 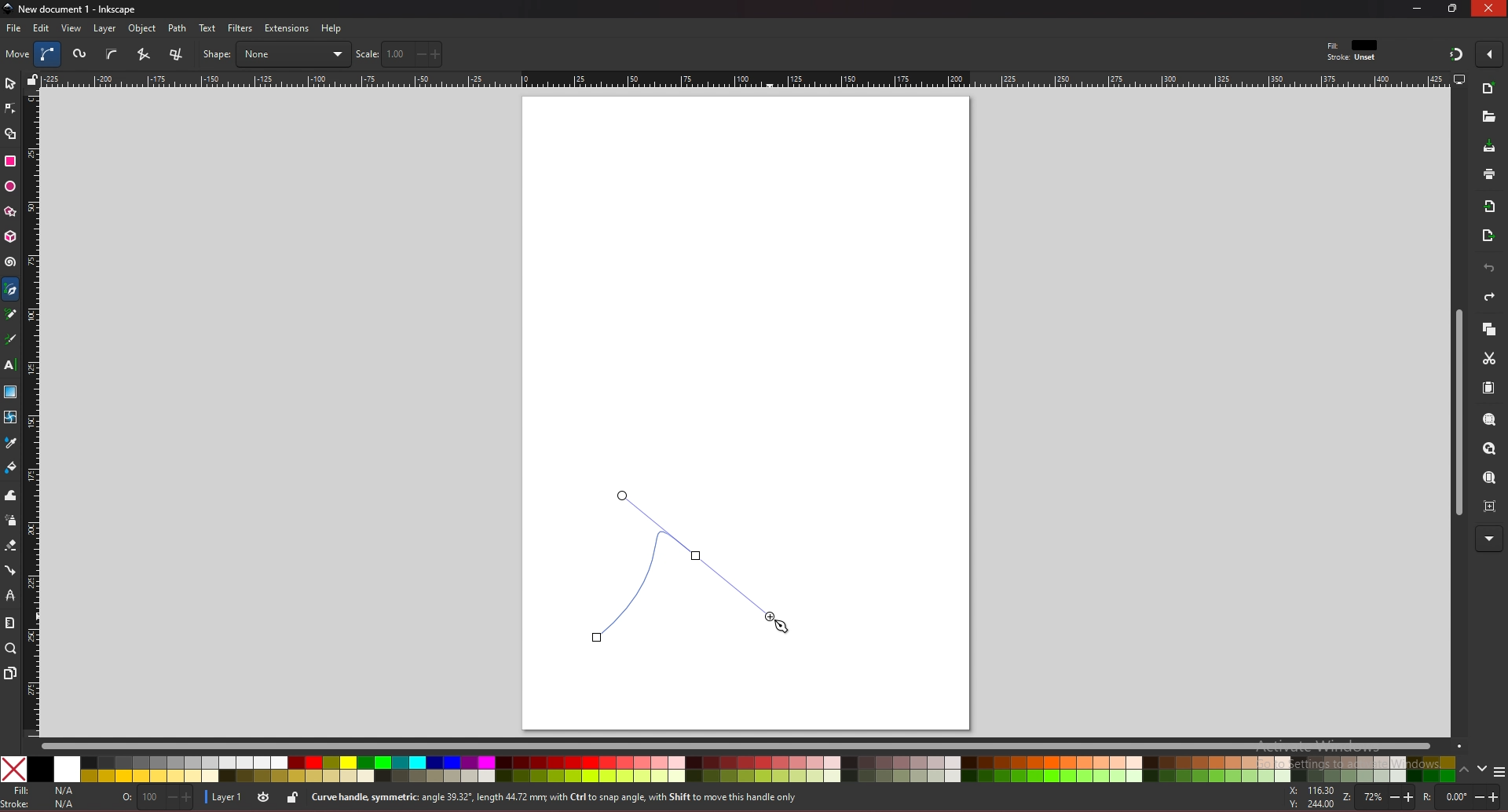 I want to click on shape builder, so click(x=11, y=134).